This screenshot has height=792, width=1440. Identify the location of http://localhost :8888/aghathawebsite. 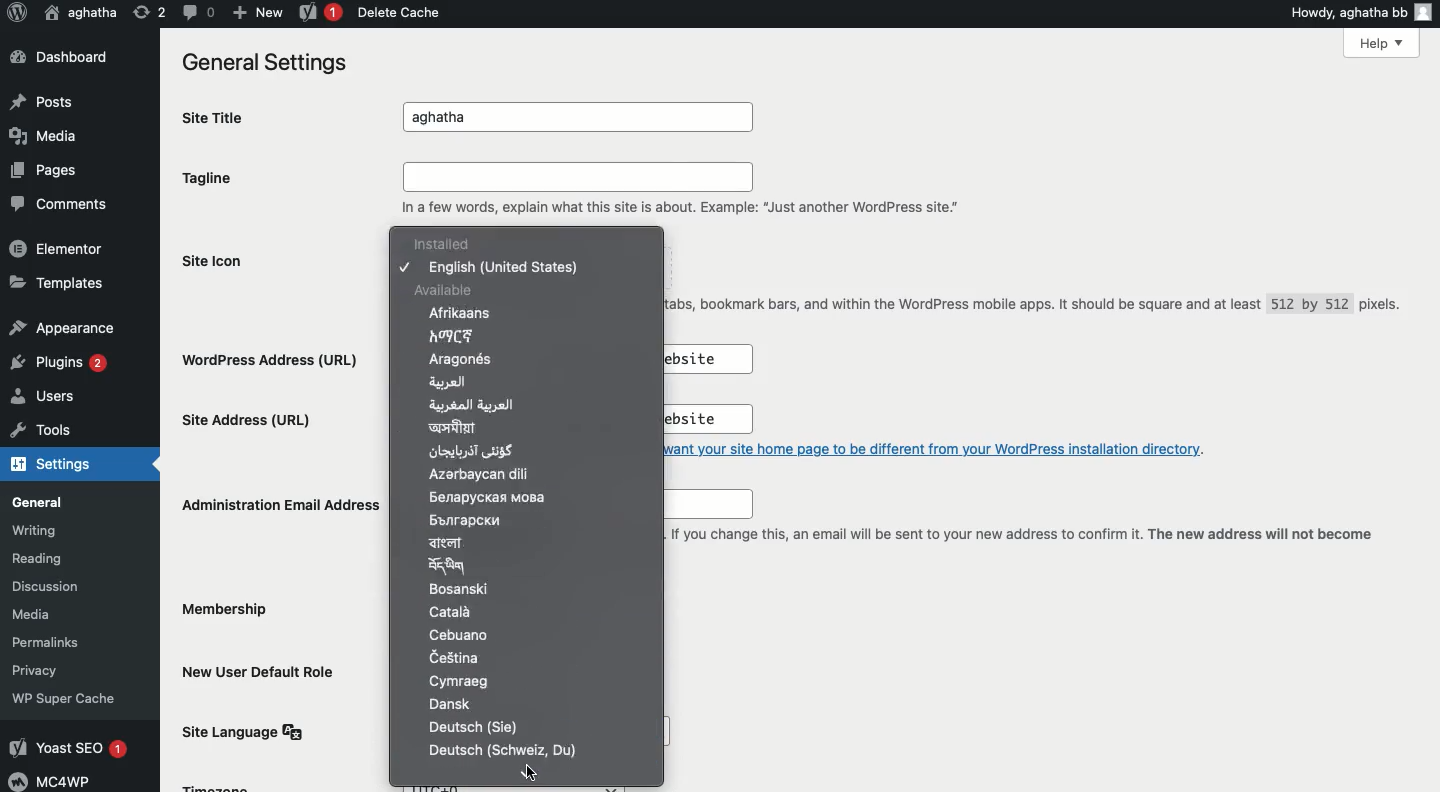
(704, 359).